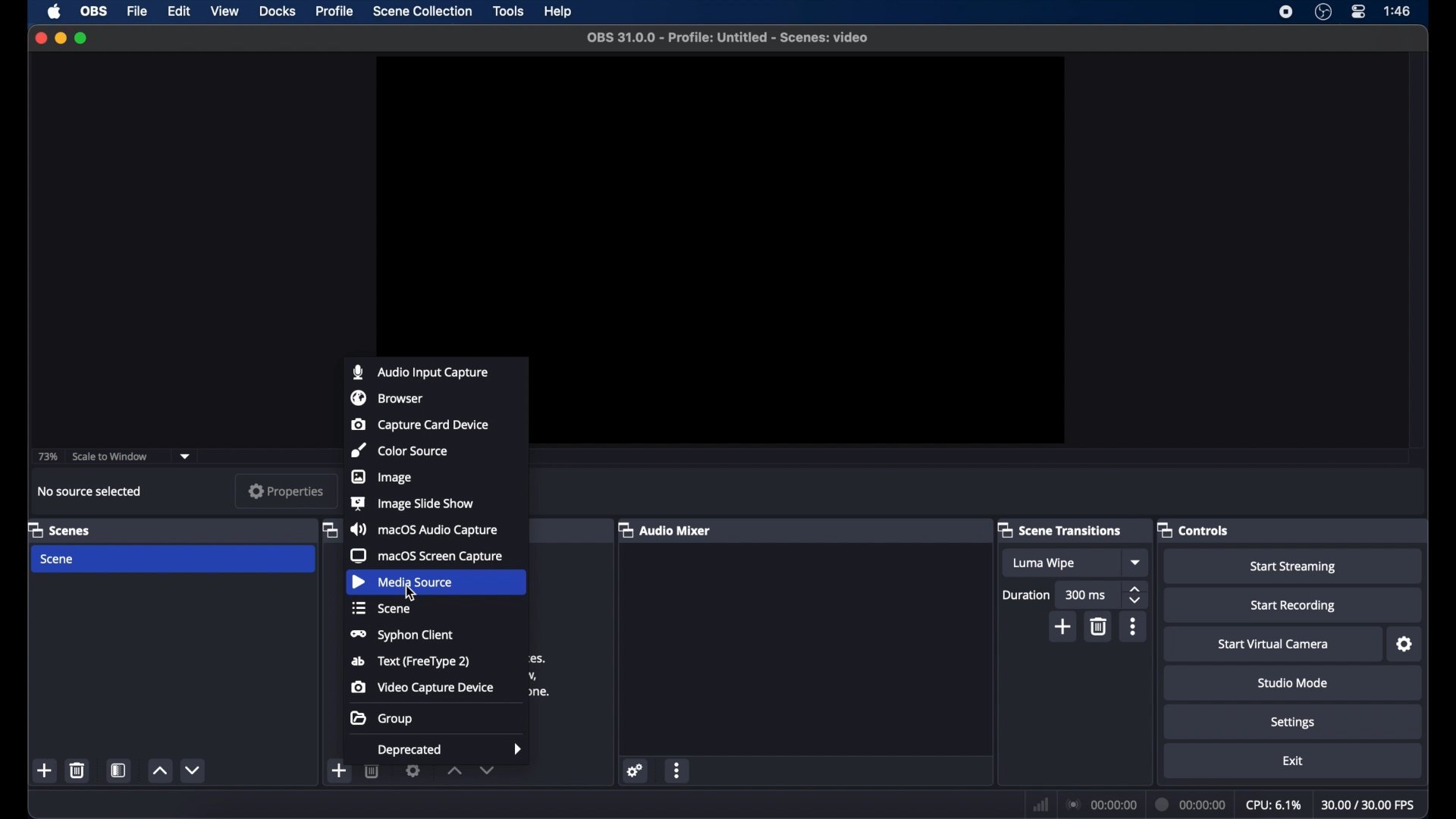 The image size is (1456, 819). What do you see at coordinates (422, 687) in the screenshot?
I see `video capture device` at bounding box center [422, 687].